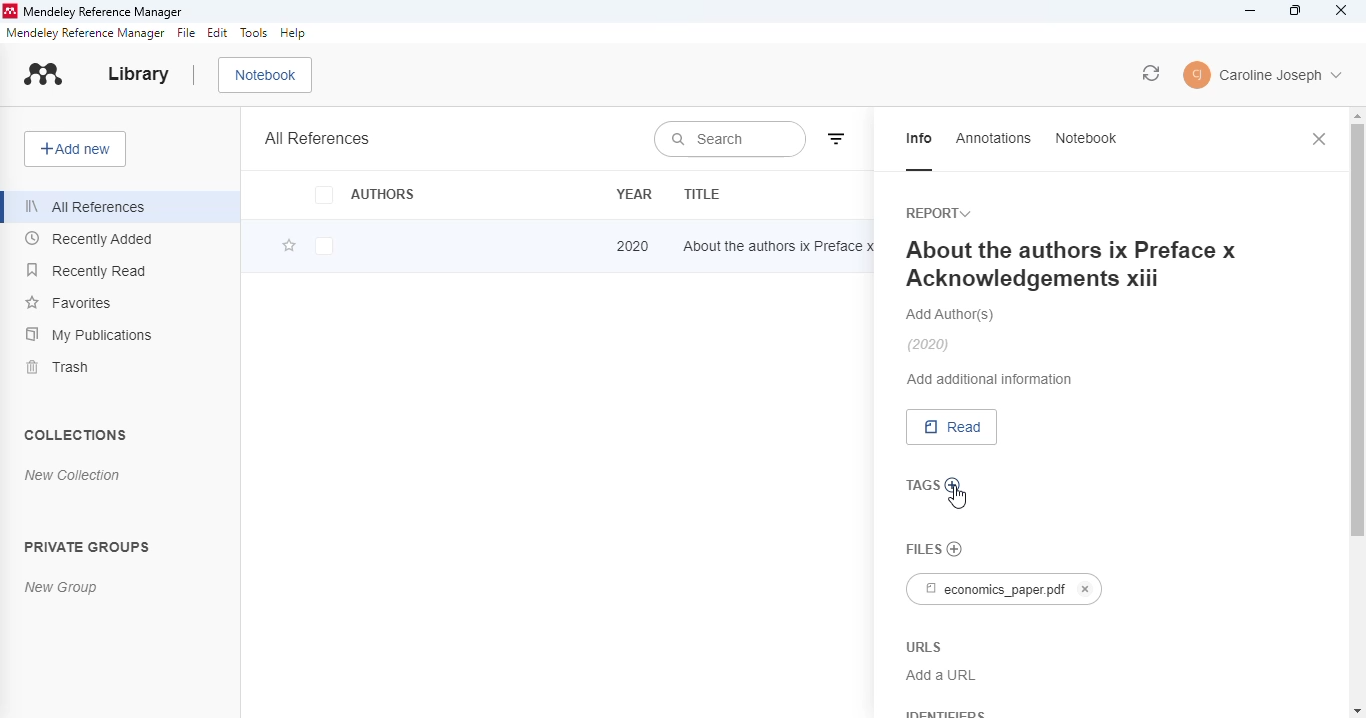  Describe the element at coordinates (138, 74) in the screenshot. I see `library` at that location.